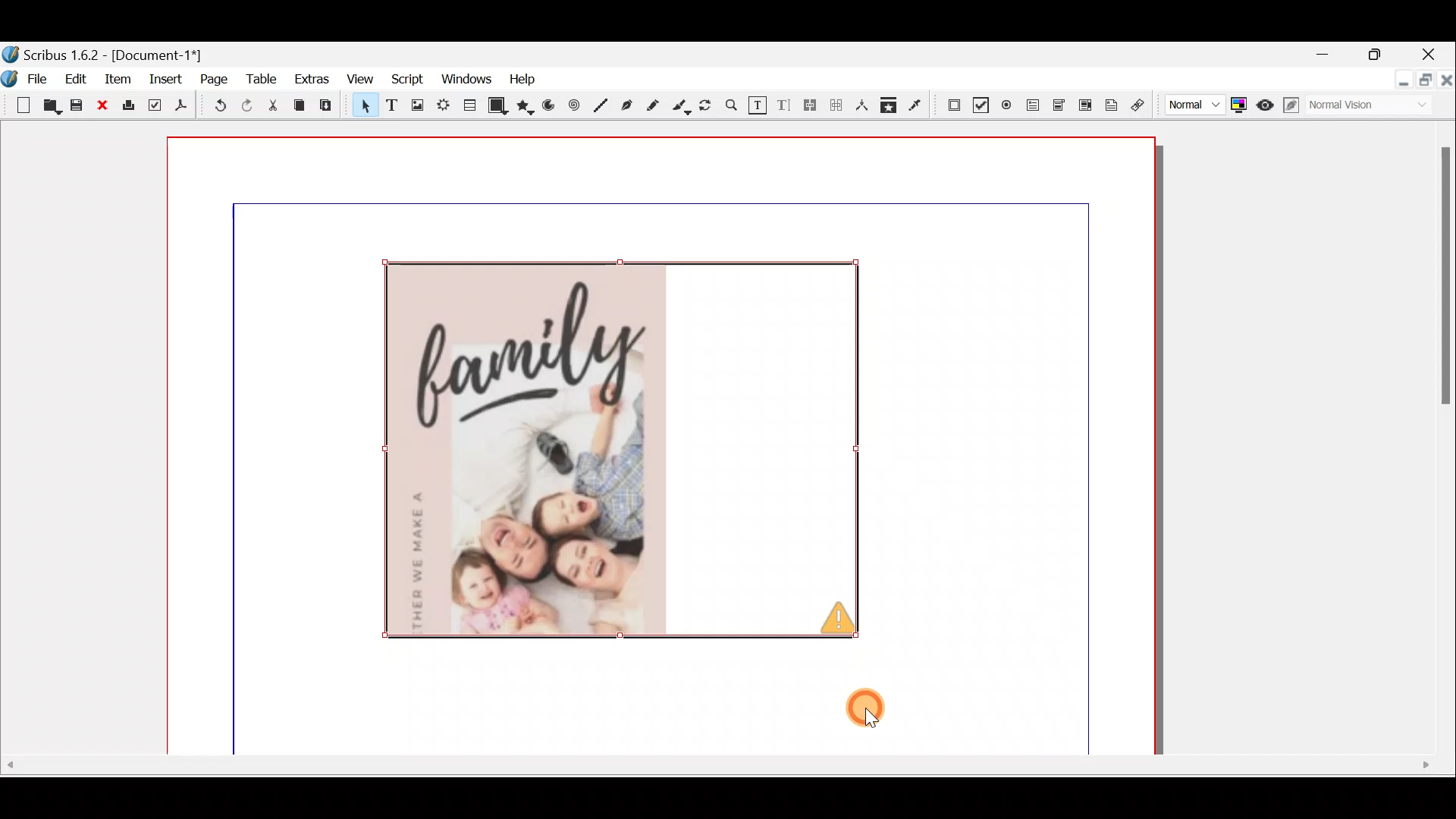 The height and width of the screenshot is (819, 1456). Describe the element at coordinates (17, 104) in the screenshot. I see `New` at that location.